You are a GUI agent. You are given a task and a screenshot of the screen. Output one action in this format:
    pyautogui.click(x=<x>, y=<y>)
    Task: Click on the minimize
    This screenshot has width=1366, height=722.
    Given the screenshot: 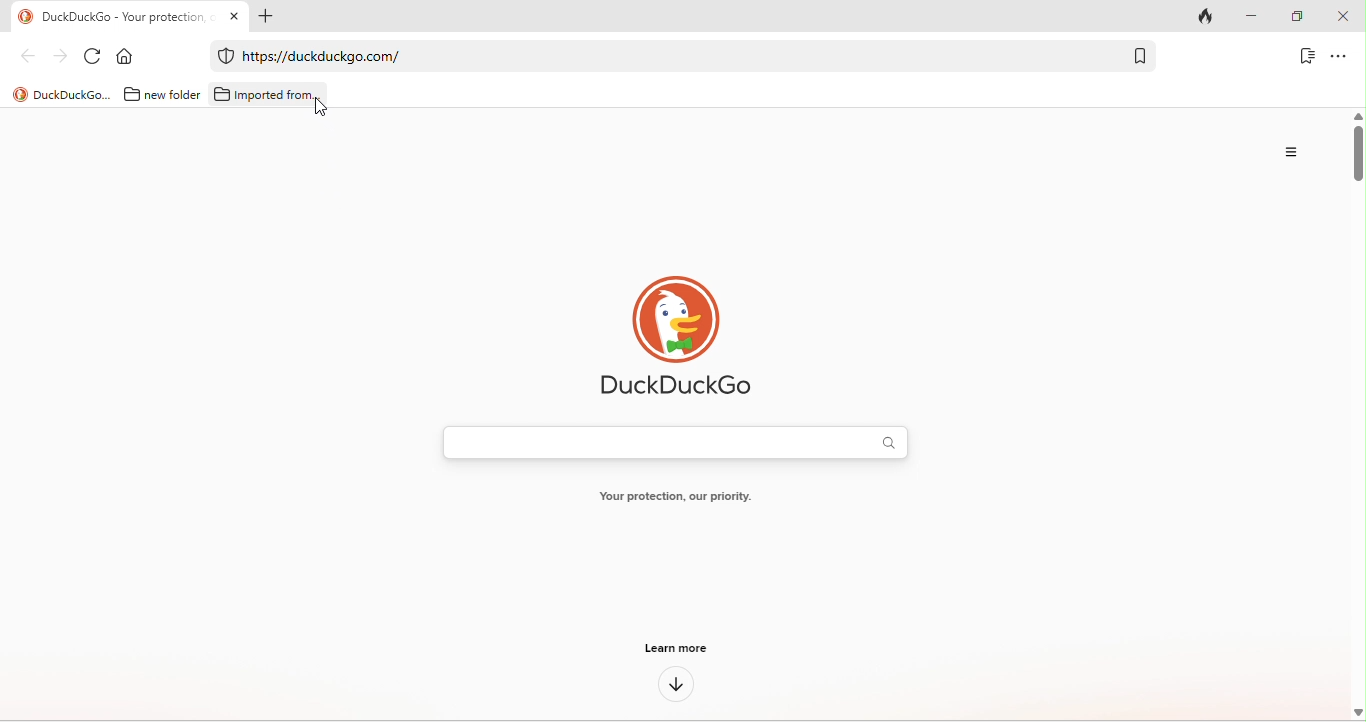 What is the action you would take?
    pyautogui.click(x=1260, y=17)
    